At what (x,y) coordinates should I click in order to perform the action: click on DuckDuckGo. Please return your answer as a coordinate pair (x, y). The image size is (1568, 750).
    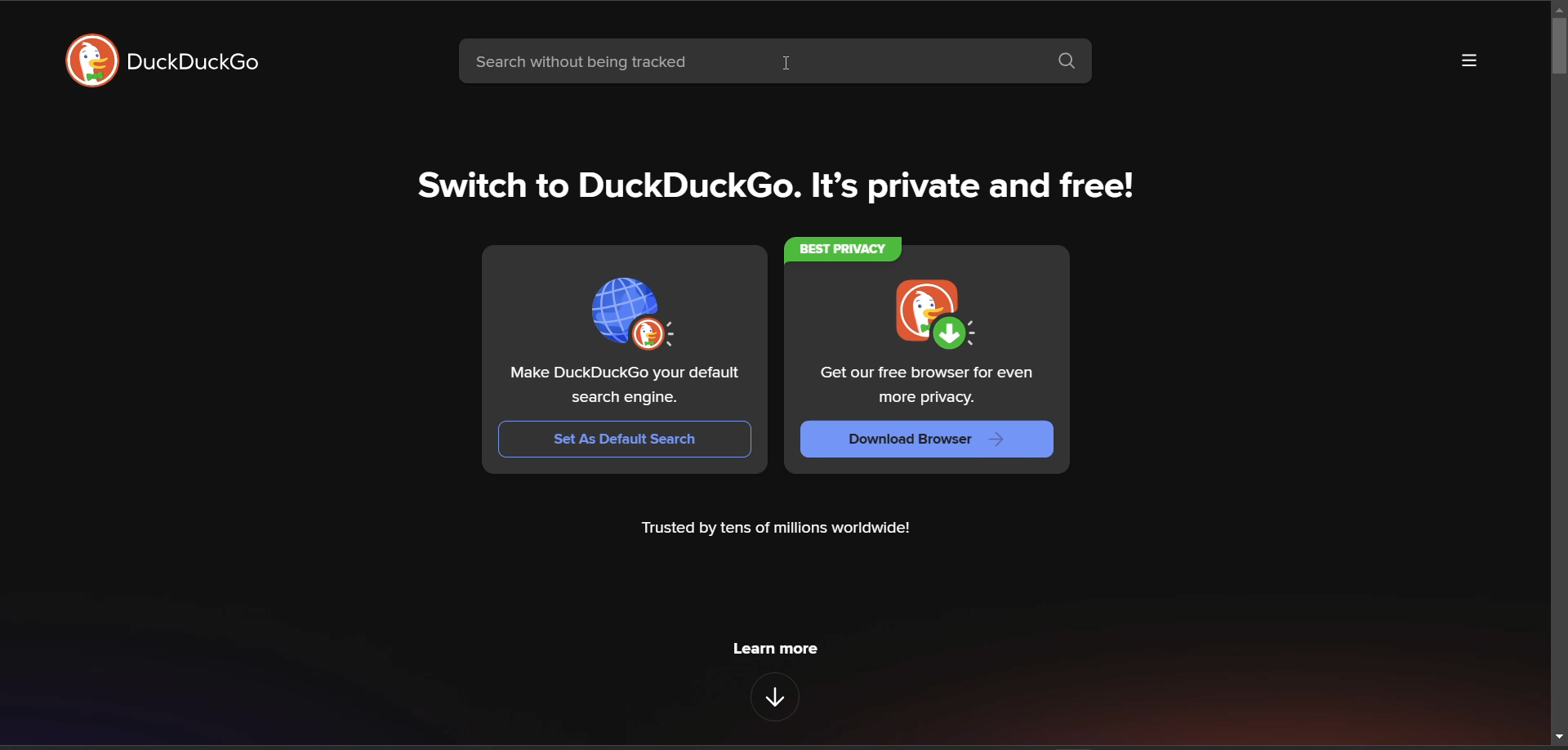
    Looking at the image, I should click on (195, 65).